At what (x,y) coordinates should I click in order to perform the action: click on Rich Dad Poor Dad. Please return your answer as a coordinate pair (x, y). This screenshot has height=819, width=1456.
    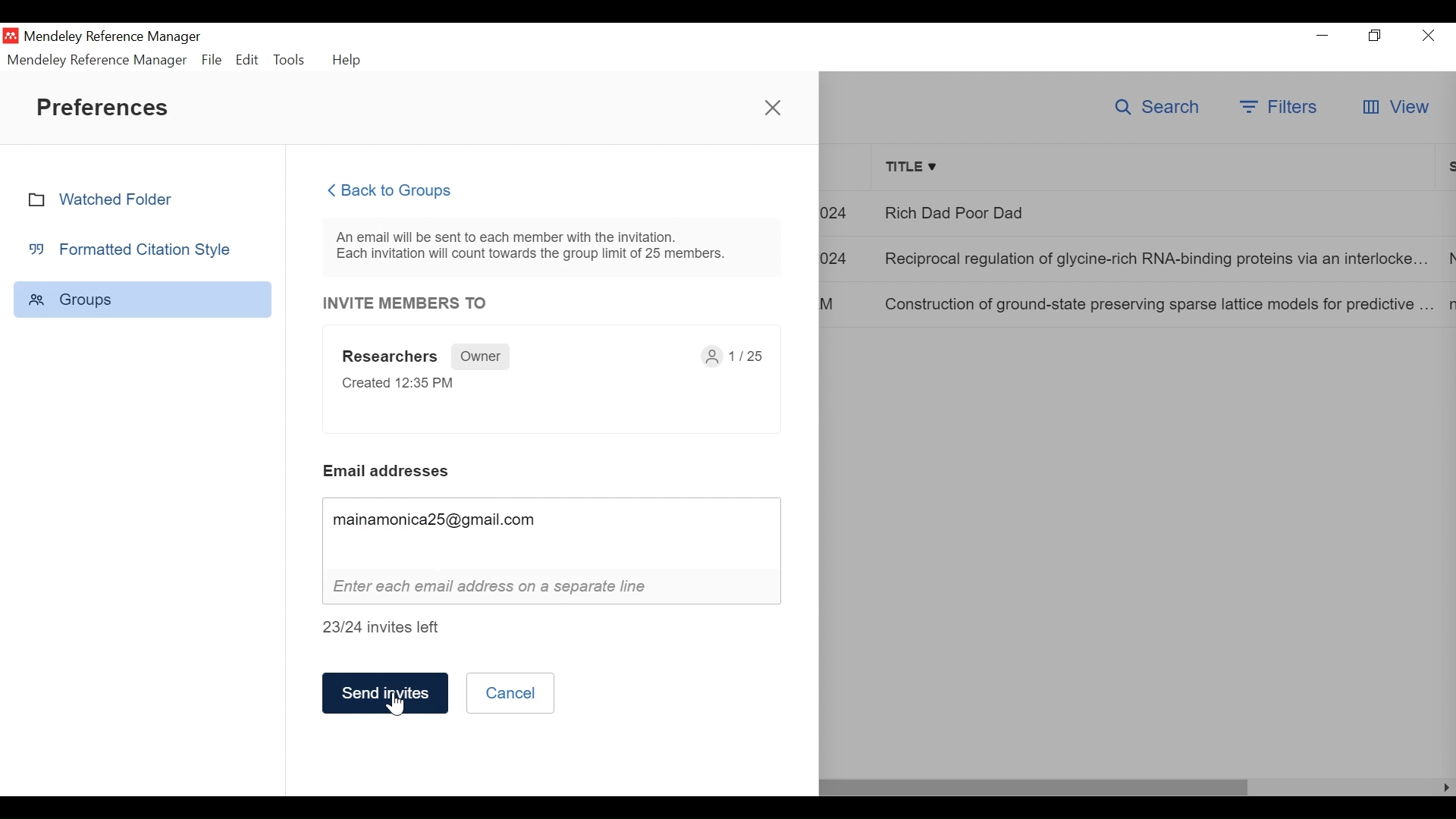
    Looking at the image, I should click on (1158, 212).